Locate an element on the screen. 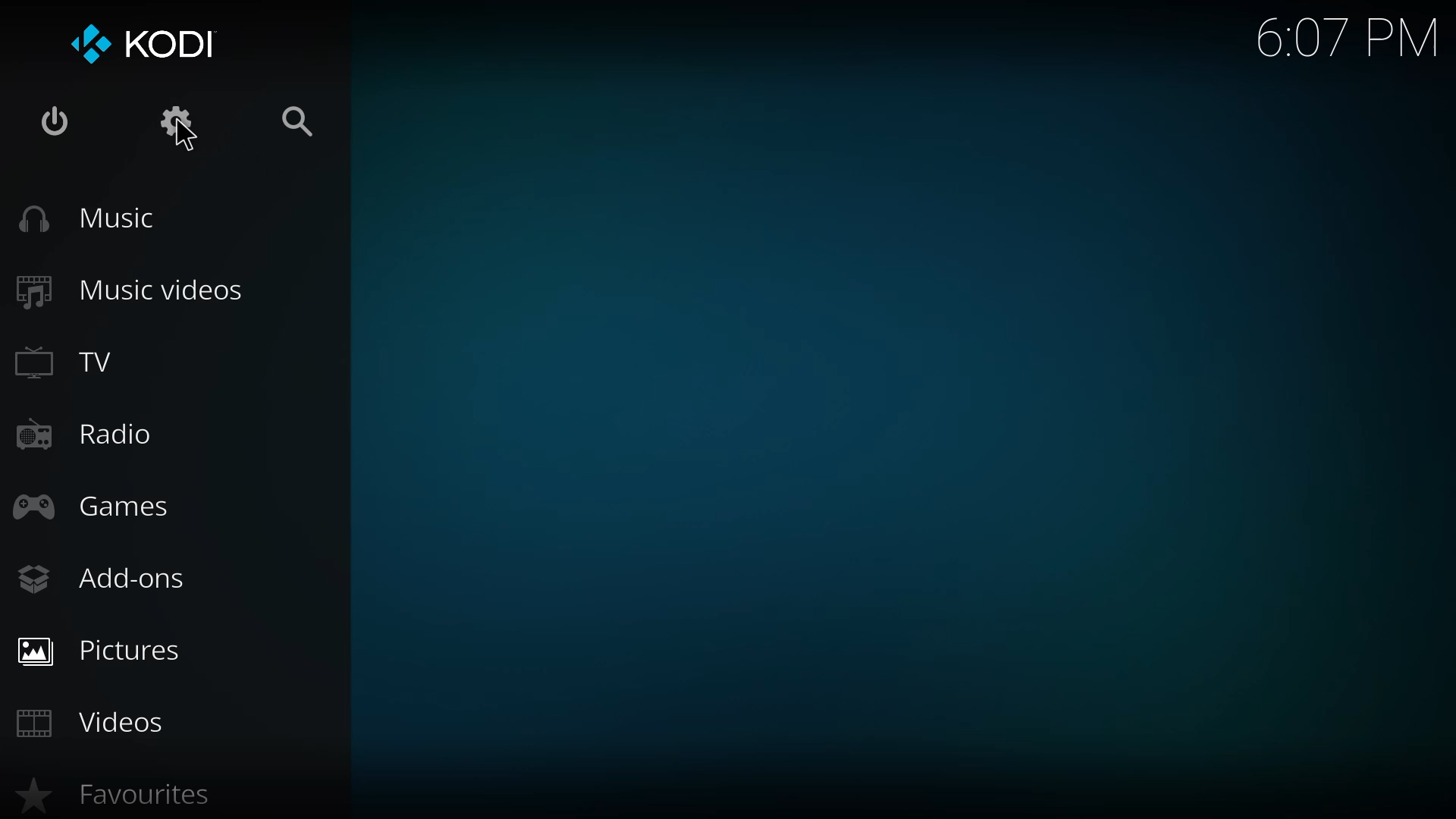 This screenshot has height=819, width=1456. tv is located at coordinates (77, 365).